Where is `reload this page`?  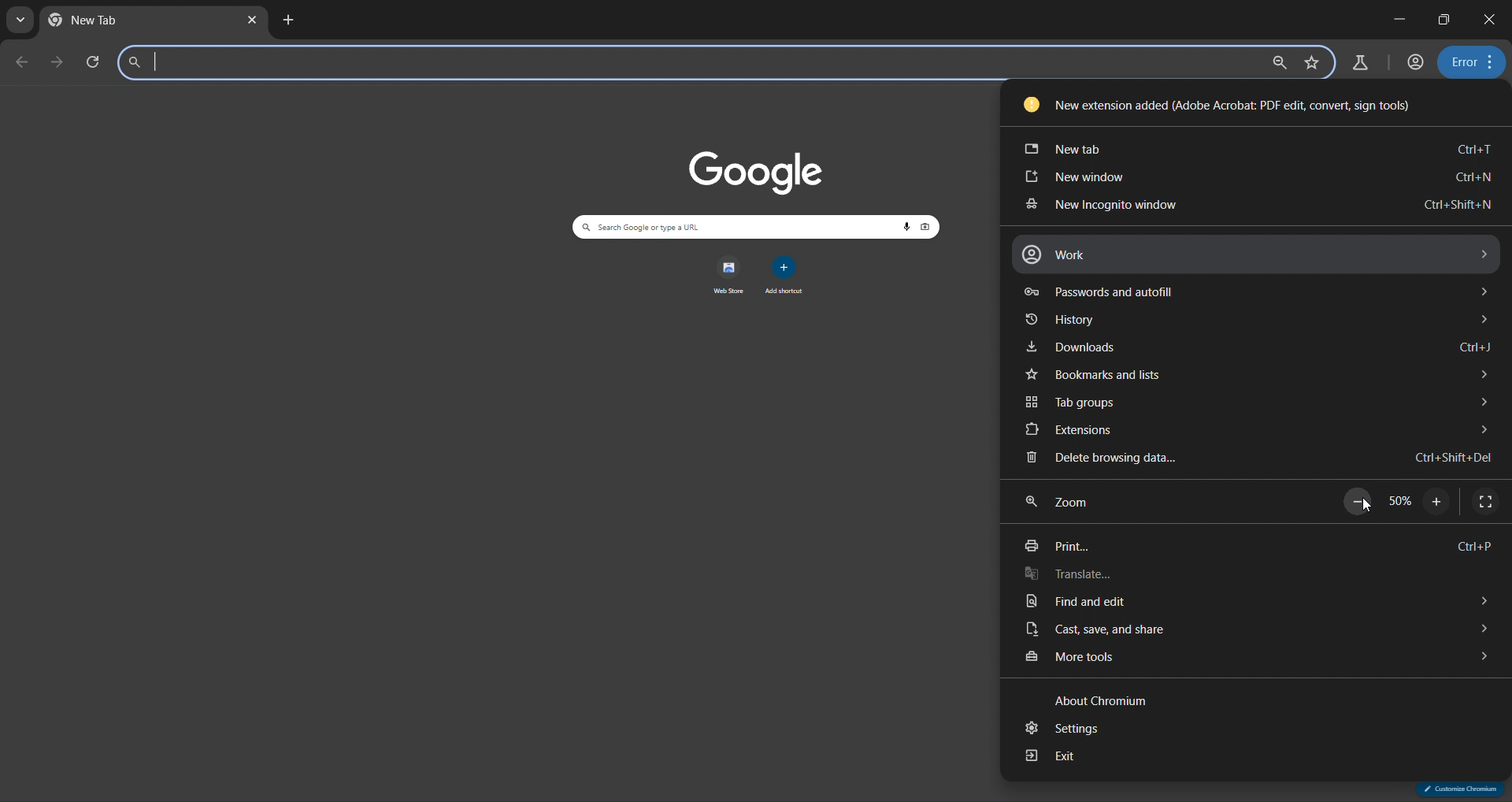
reload this page is located at coordinates (98, 60).